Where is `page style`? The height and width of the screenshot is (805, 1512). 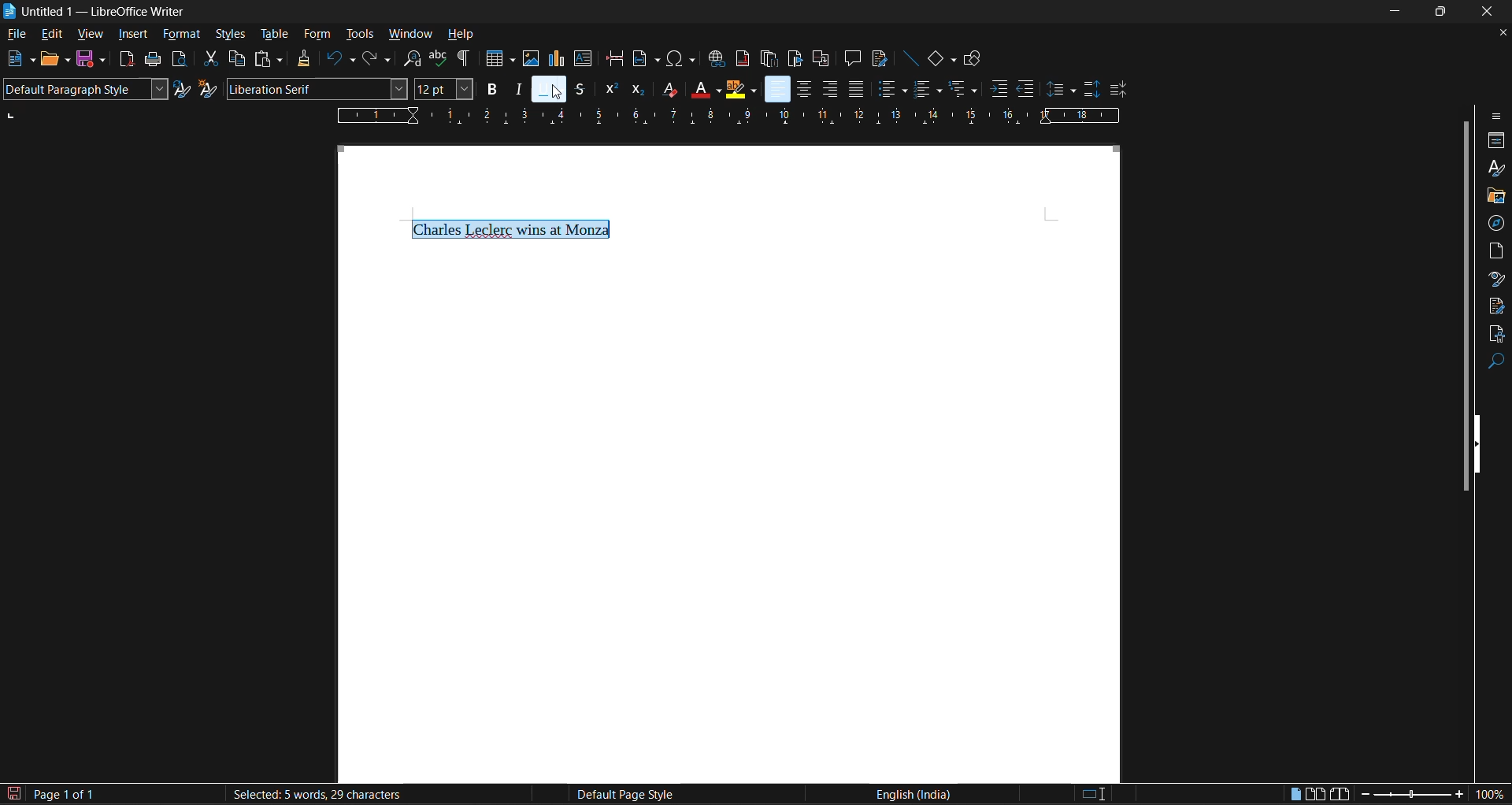 page style is located at coordinates (621, 795).